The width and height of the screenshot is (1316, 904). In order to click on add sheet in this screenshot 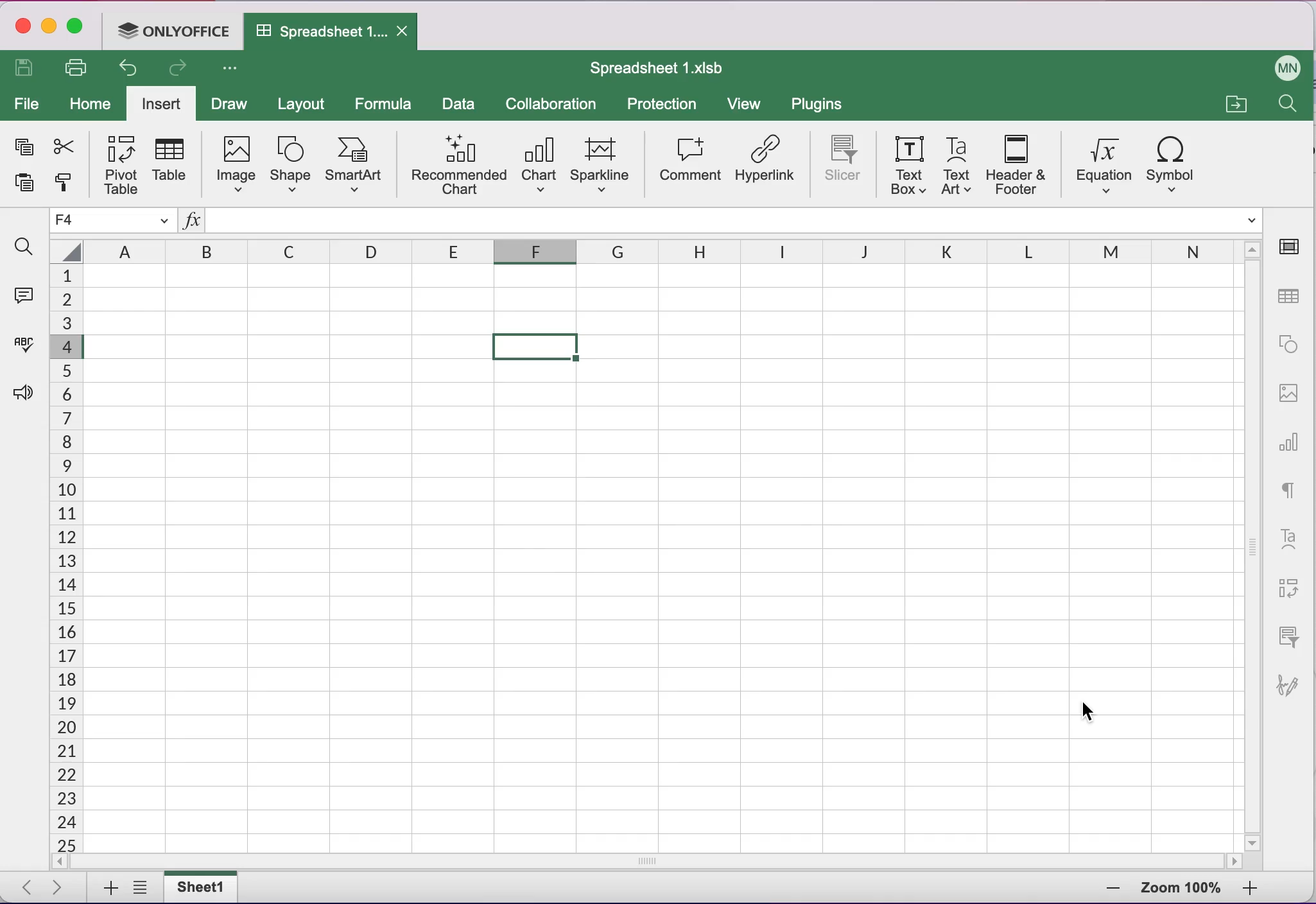, I will do `click(108, 888)`.